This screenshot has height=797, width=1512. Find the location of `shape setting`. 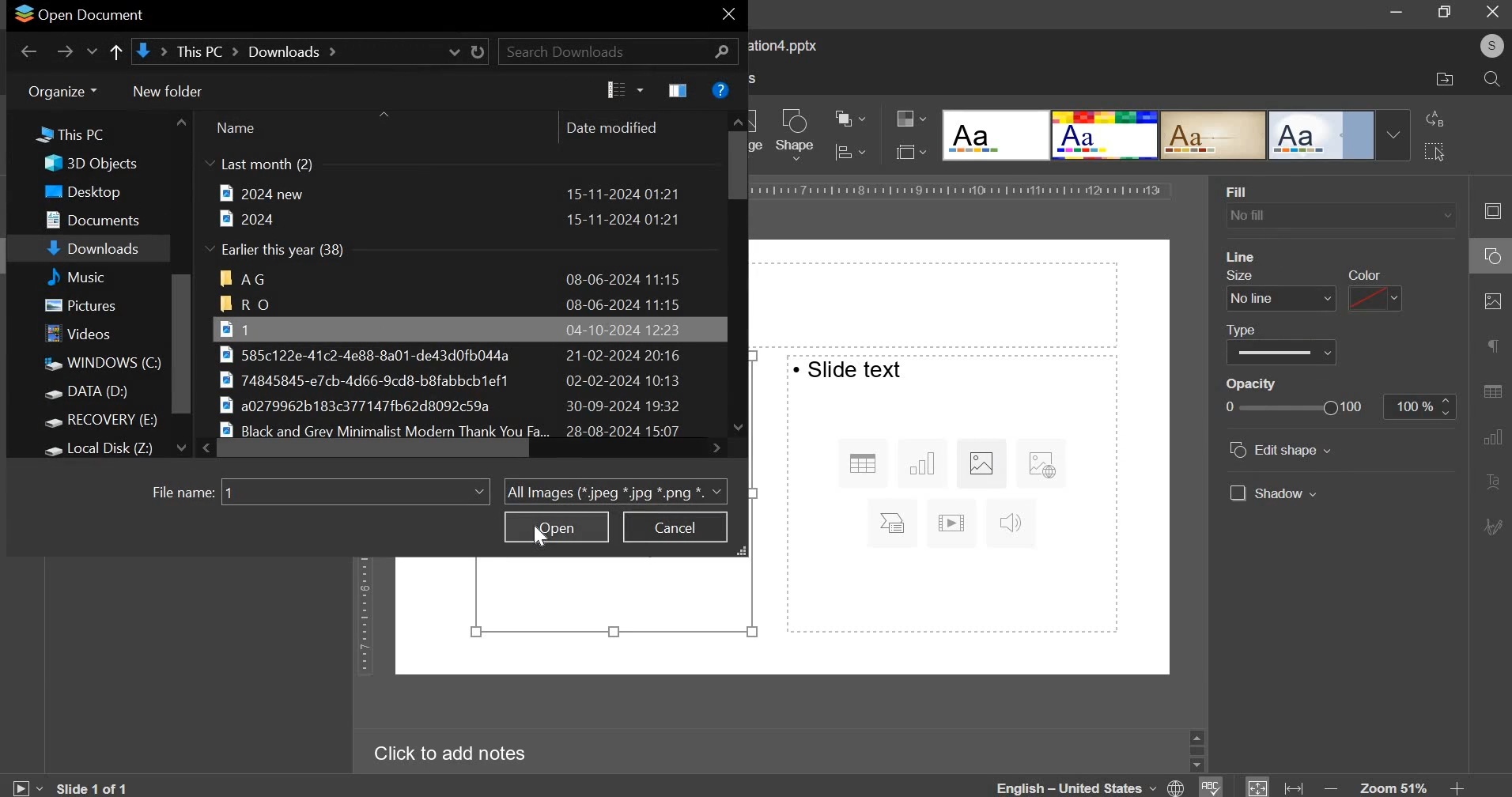

shape setting is located at coordinates (1494, 258).